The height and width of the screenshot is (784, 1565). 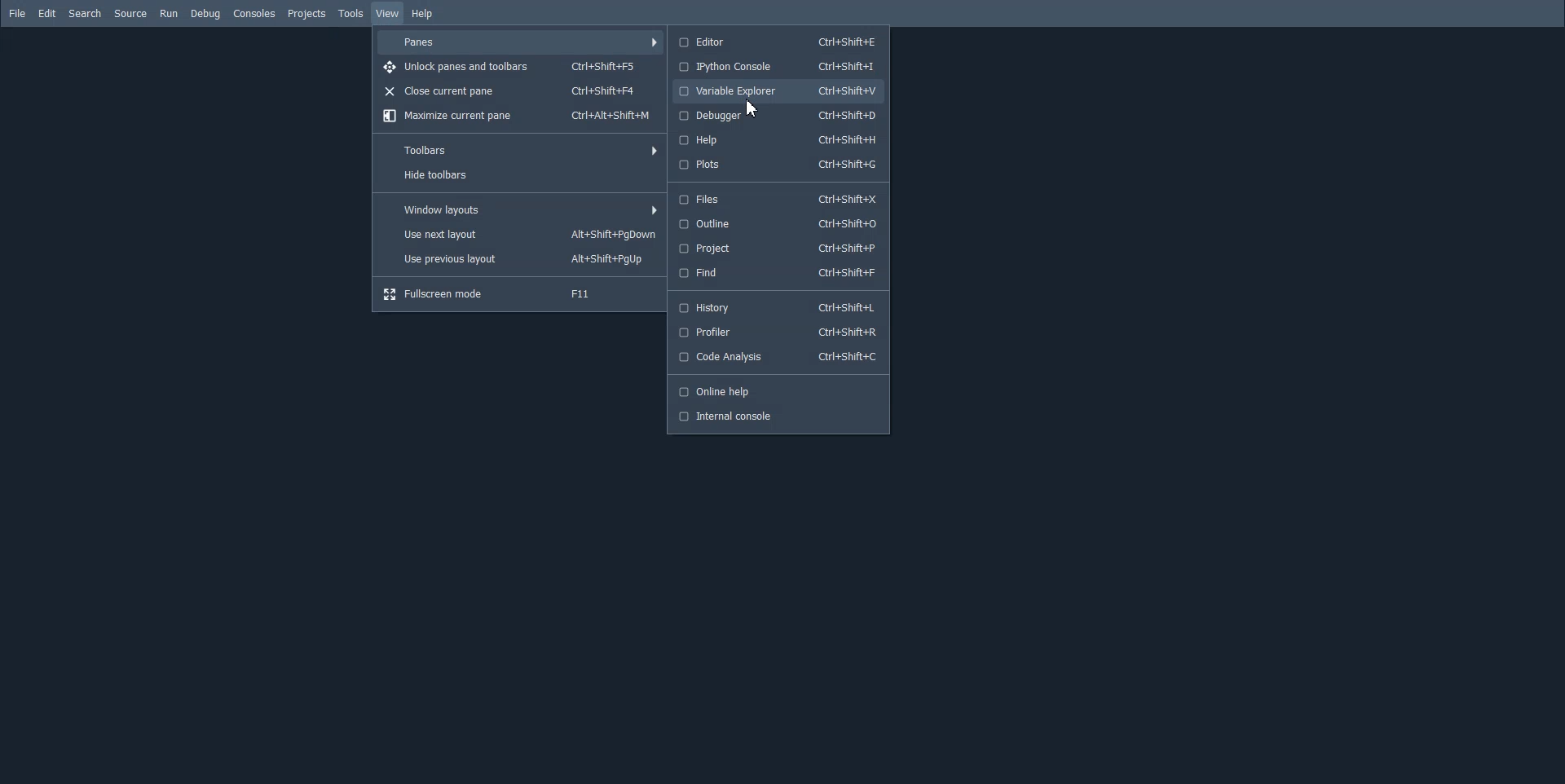 I want to click on Source, so click(x=130, y=14).